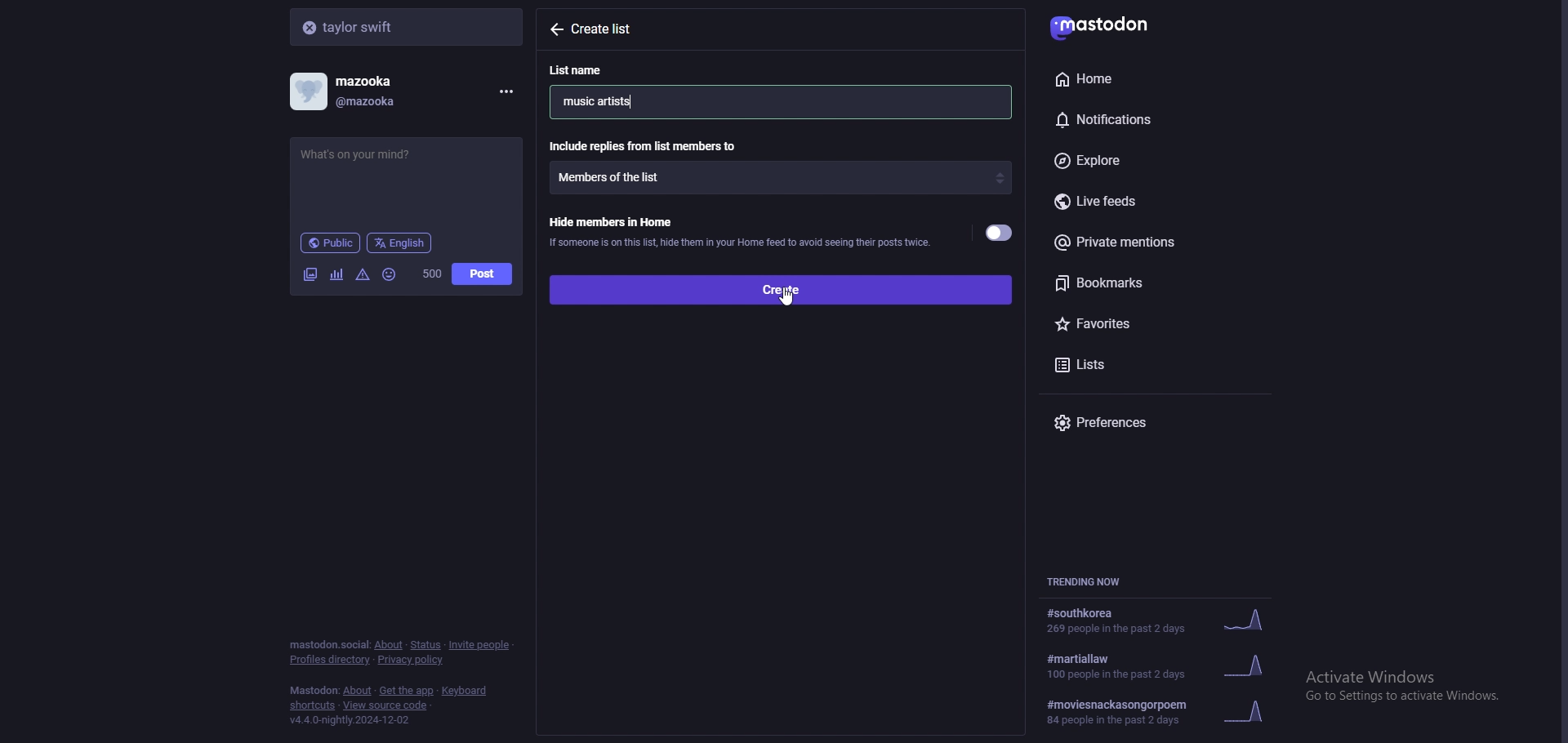 Image resolution: width=1568 pixels, height=743 pixels. What do you see at coordinates (480, 644) in the screenshot?
I see `invite people` at bounding box center [480, 644].